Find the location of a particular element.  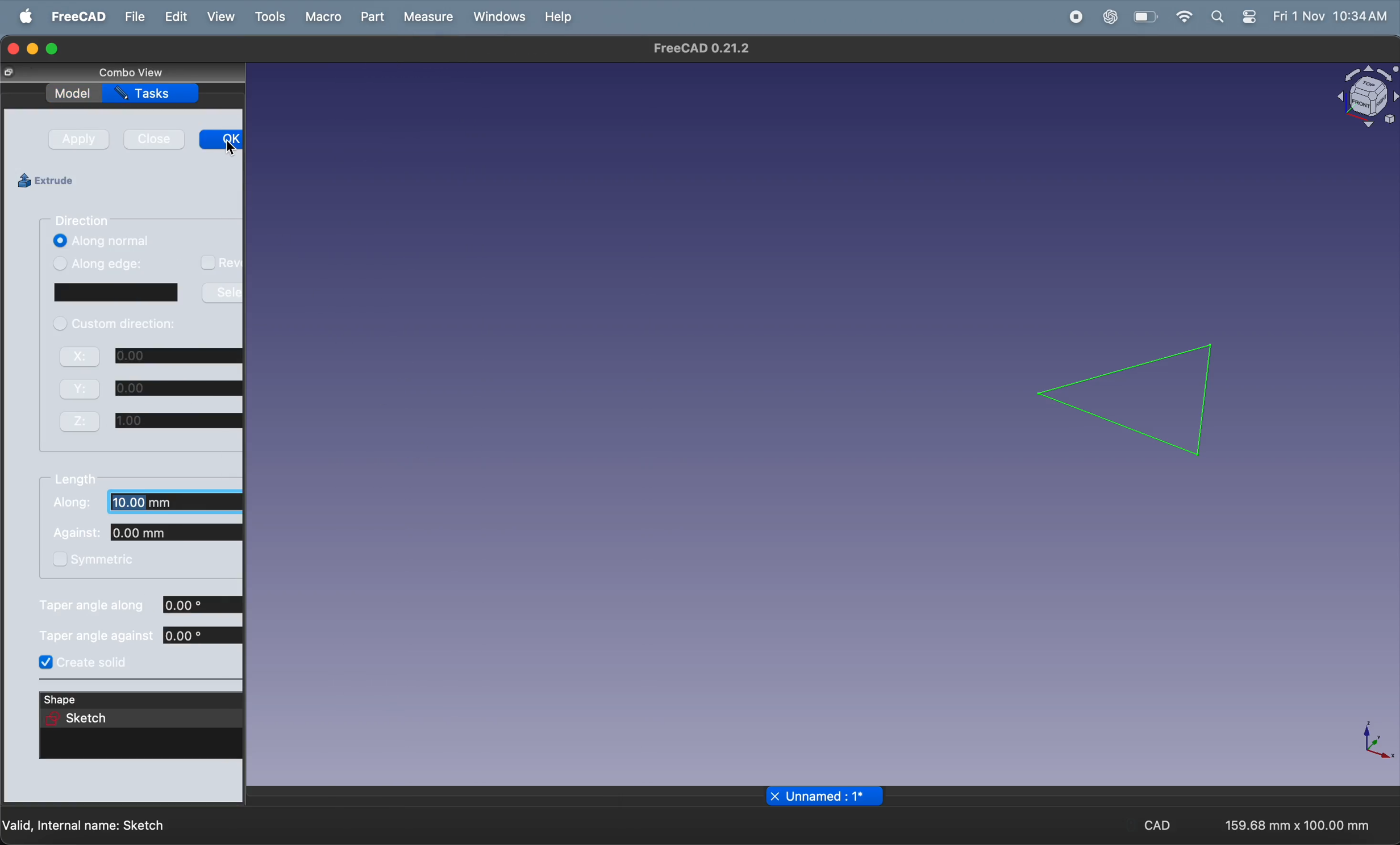

checkbox  is located at coordinates (209, 262).